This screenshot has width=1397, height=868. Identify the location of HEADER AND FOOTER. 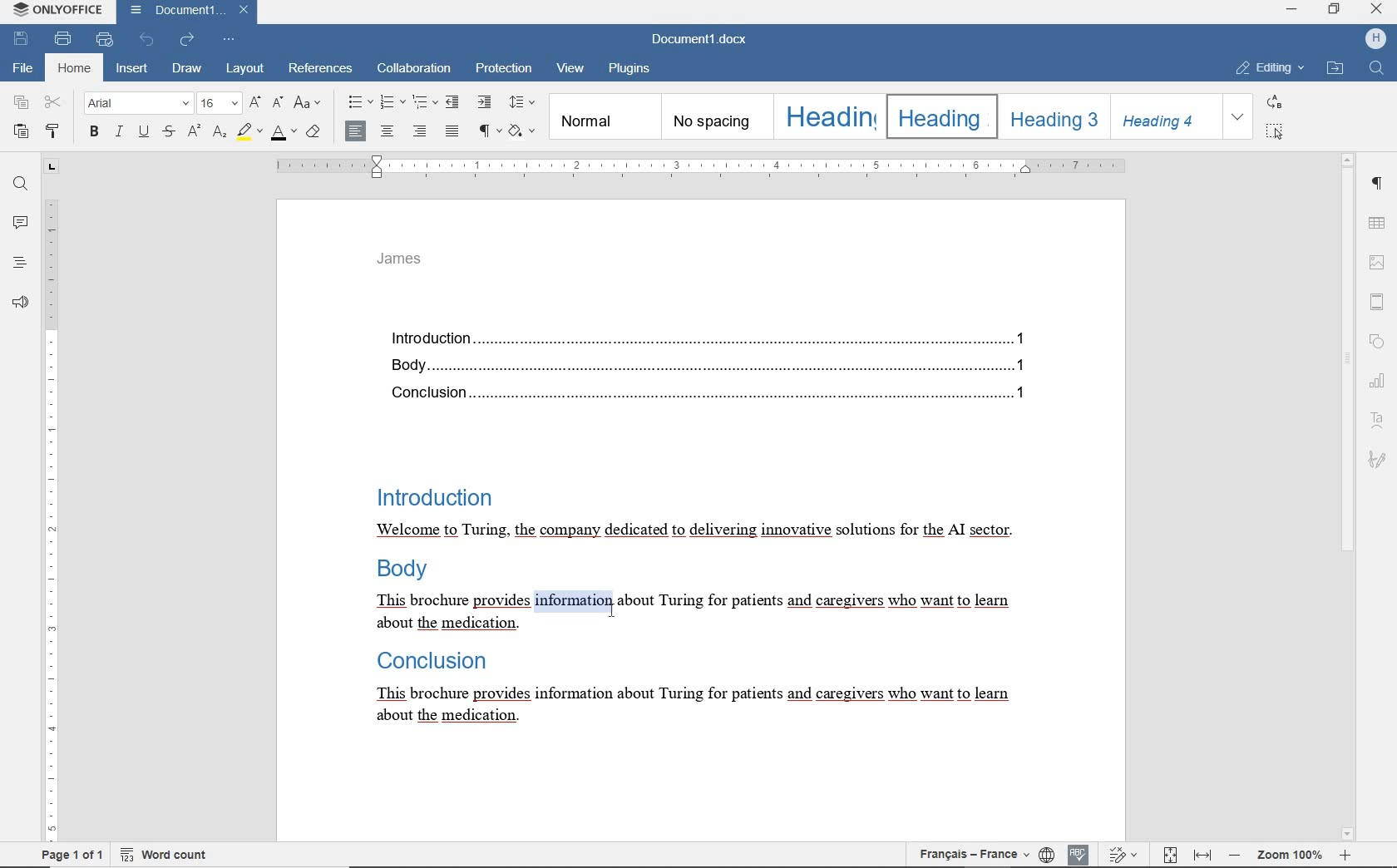
(1377, 301).